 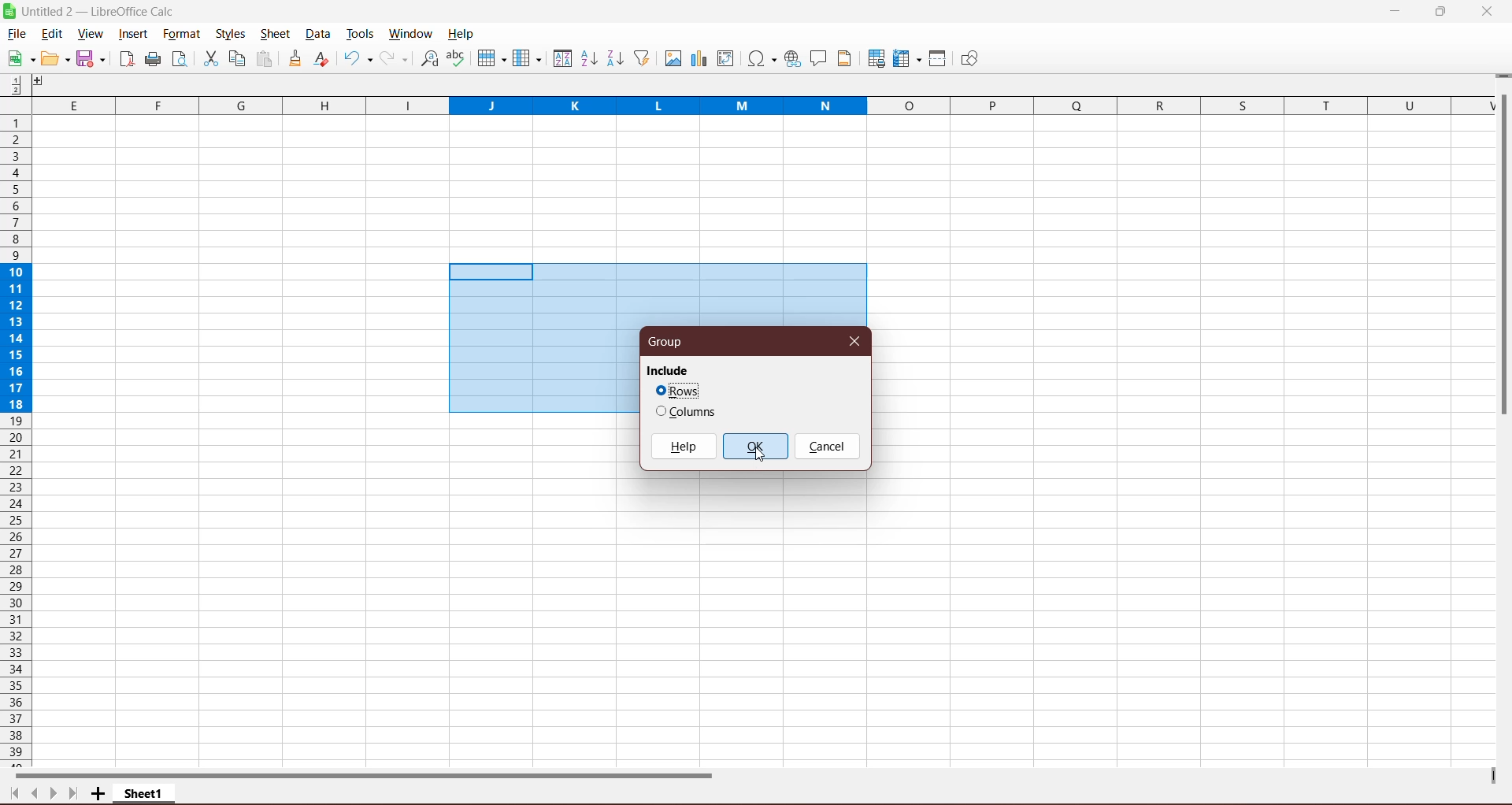 What do you see at coordinates (726, 57) in the screenshot?
I see `Insert or Edit Pivot table` at bounding box center [726, 57].